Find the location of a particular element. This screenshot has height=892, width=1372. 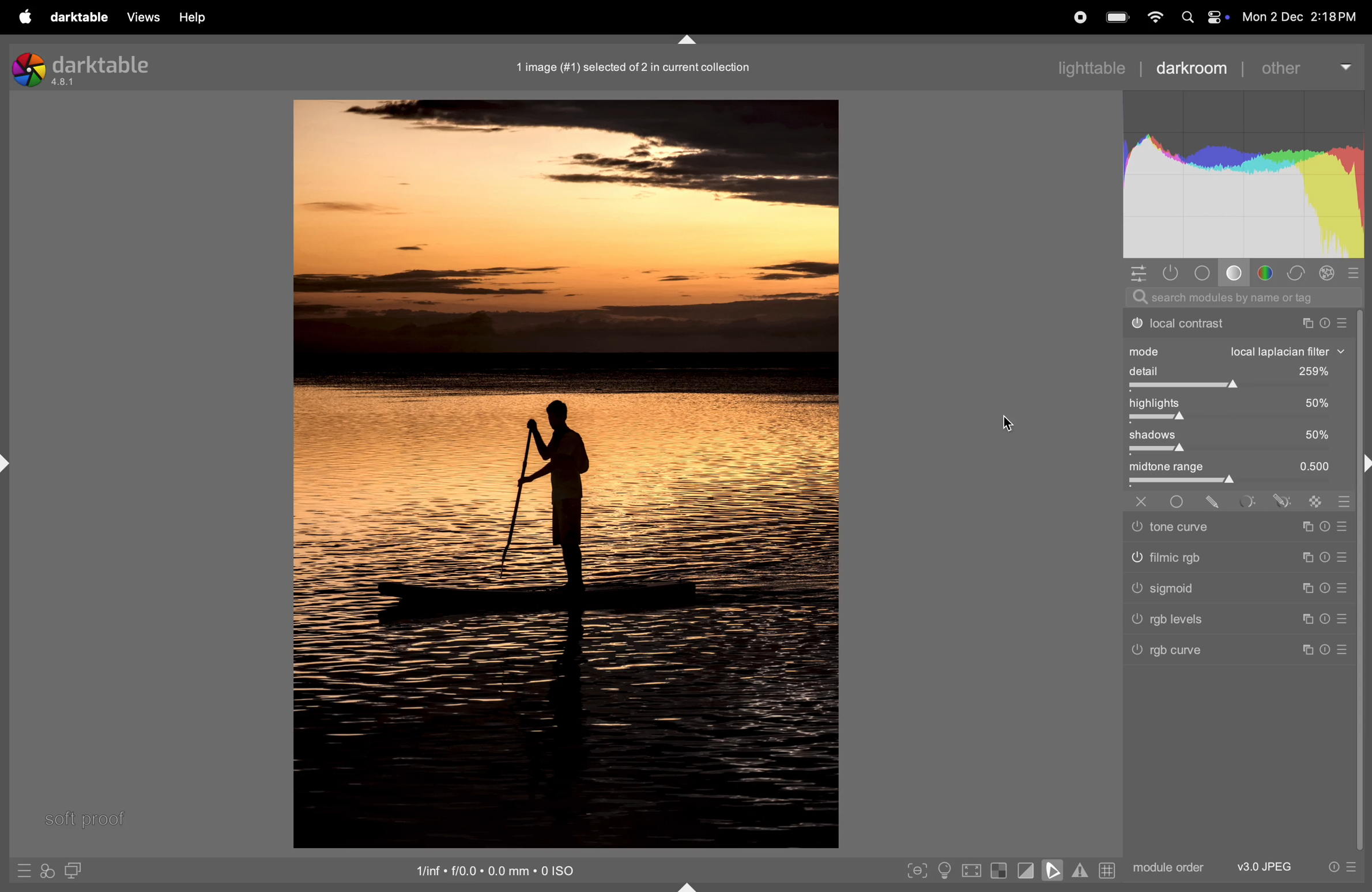

cursor is located at coordinates (1015, 422).